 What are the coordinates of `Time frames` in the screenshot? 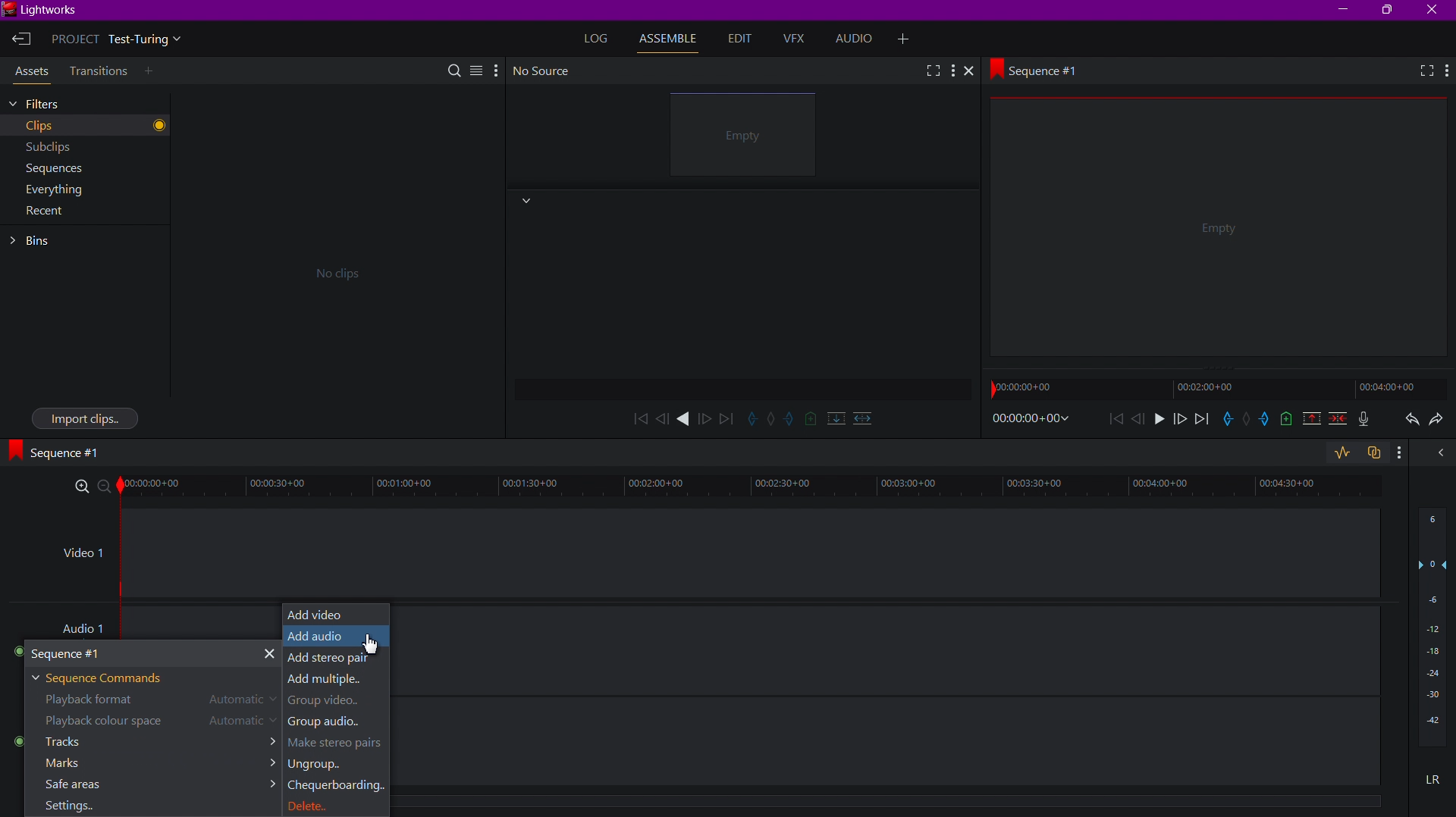 It's located at (1209, 388).